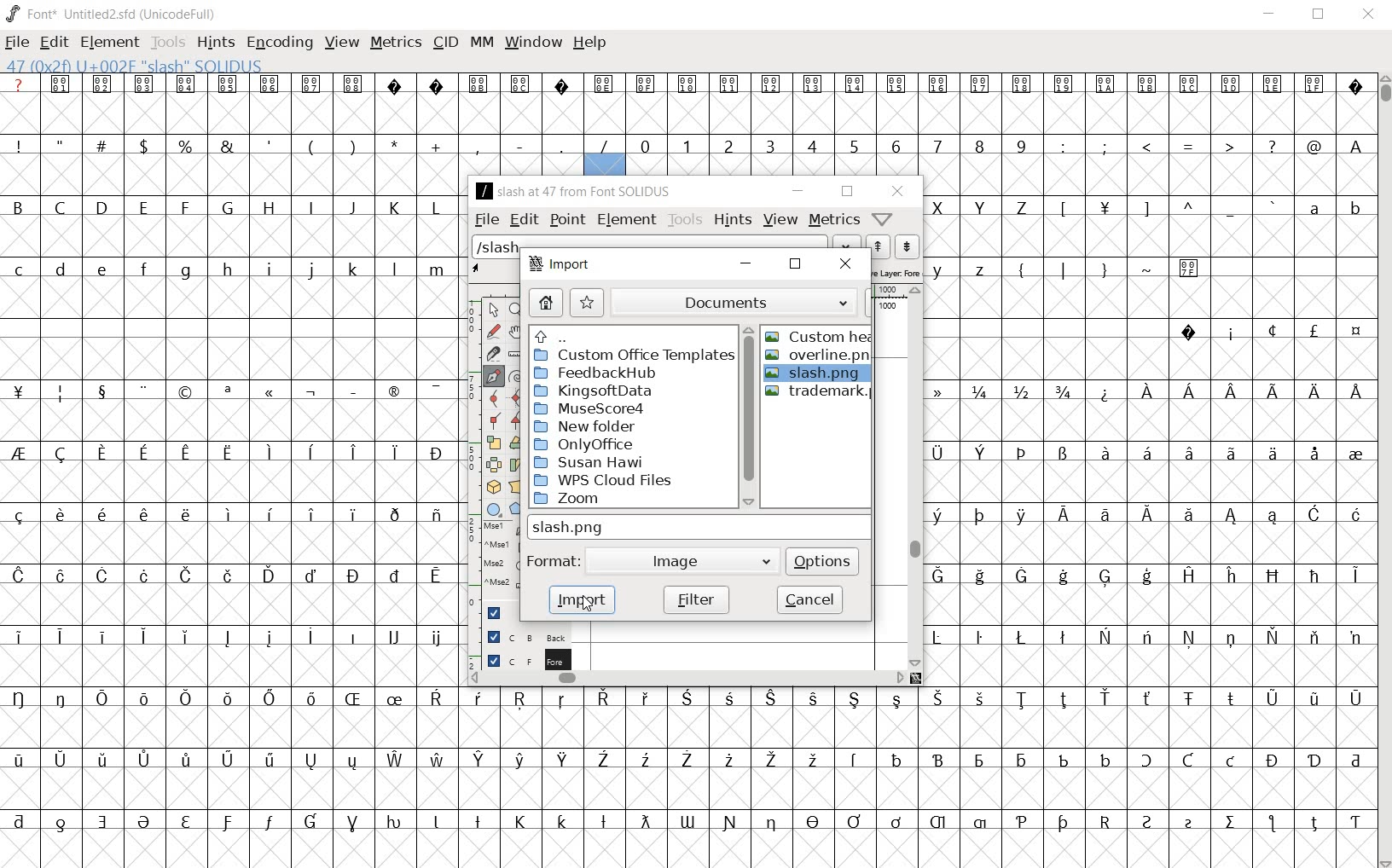 The image size is (1392, 868). I want to click on small letters c-z, so click(233, 268).